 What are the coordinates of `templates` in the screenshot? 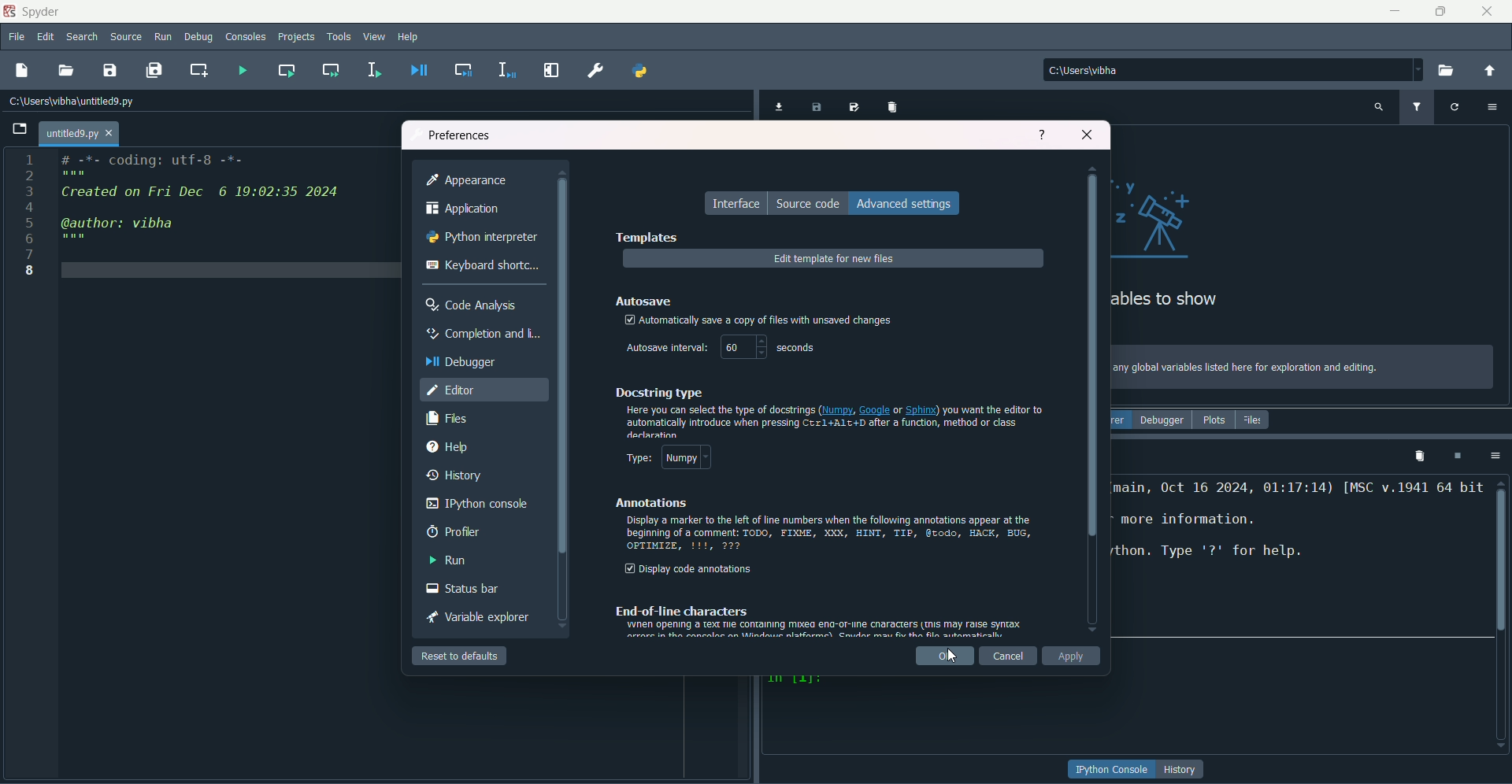 It's located at (645, 236).